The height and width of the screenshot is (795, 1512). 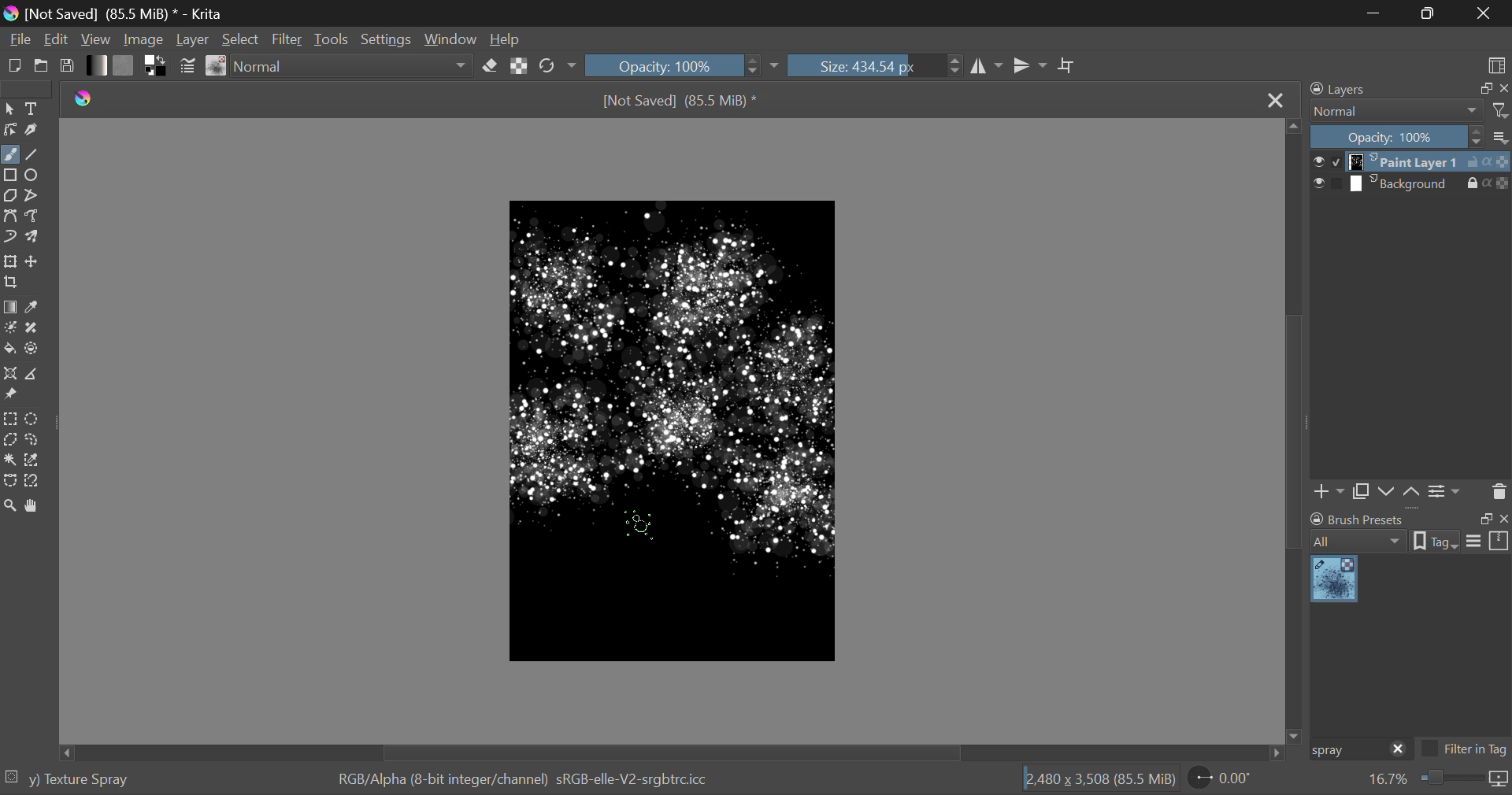 I want to click on Zoom, so click(x=11, y=508).